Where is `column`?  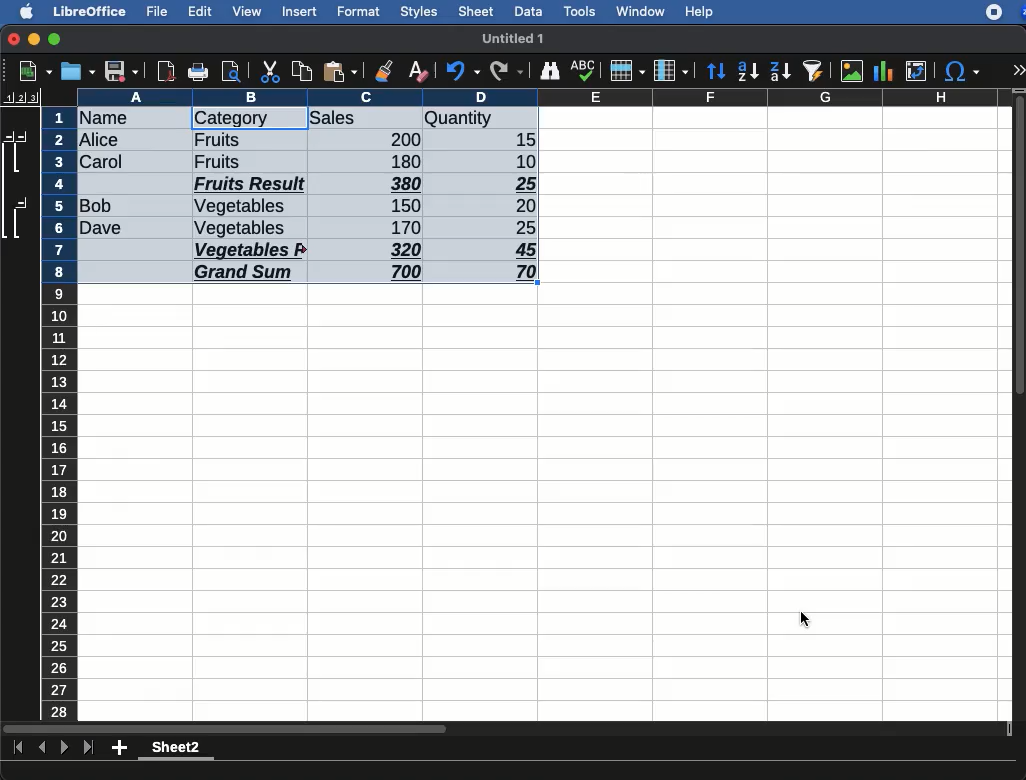
column is located at coordinates (525, 97).